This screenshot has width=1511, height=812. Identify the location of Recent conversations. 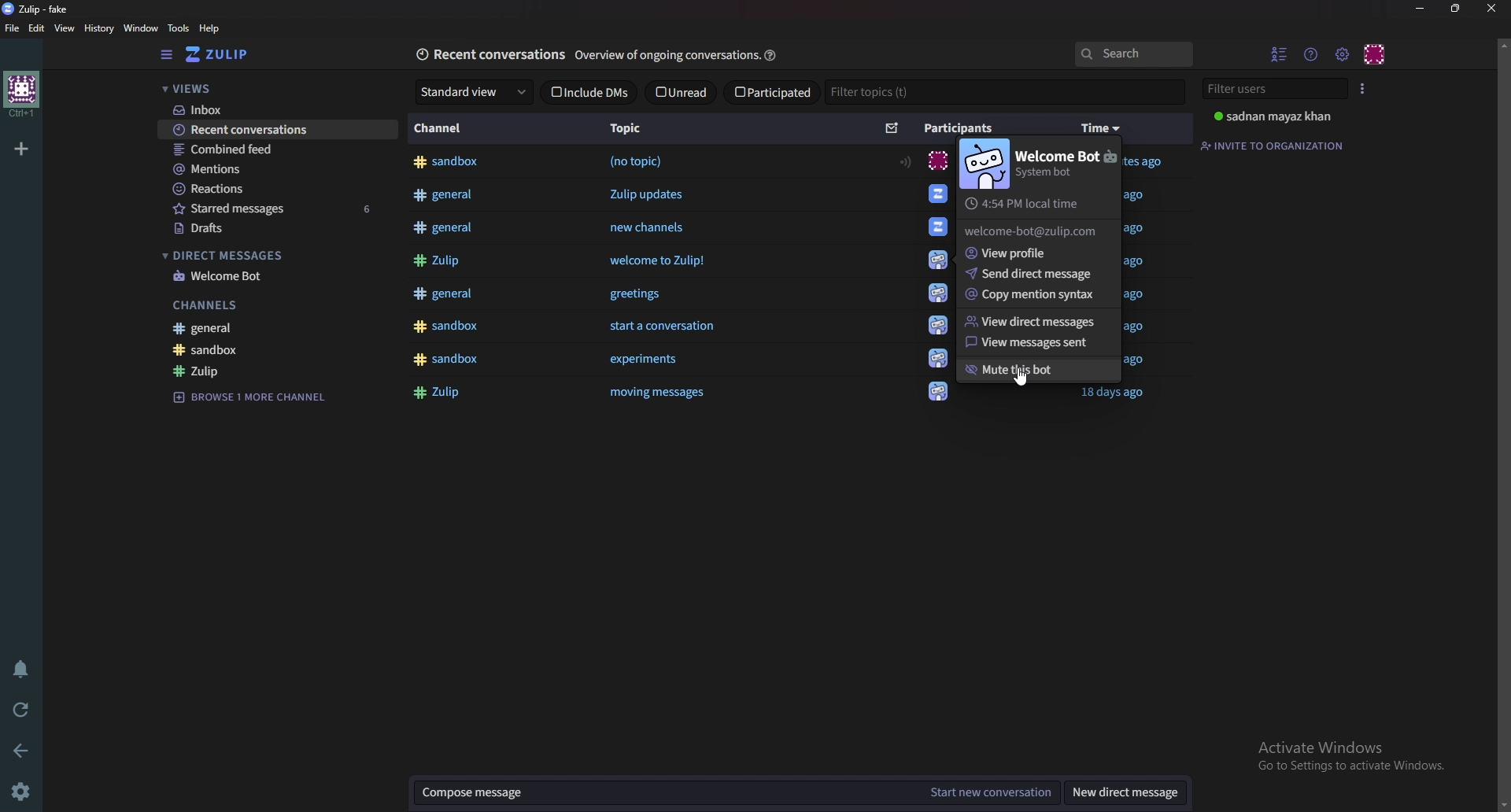
(489, 54).